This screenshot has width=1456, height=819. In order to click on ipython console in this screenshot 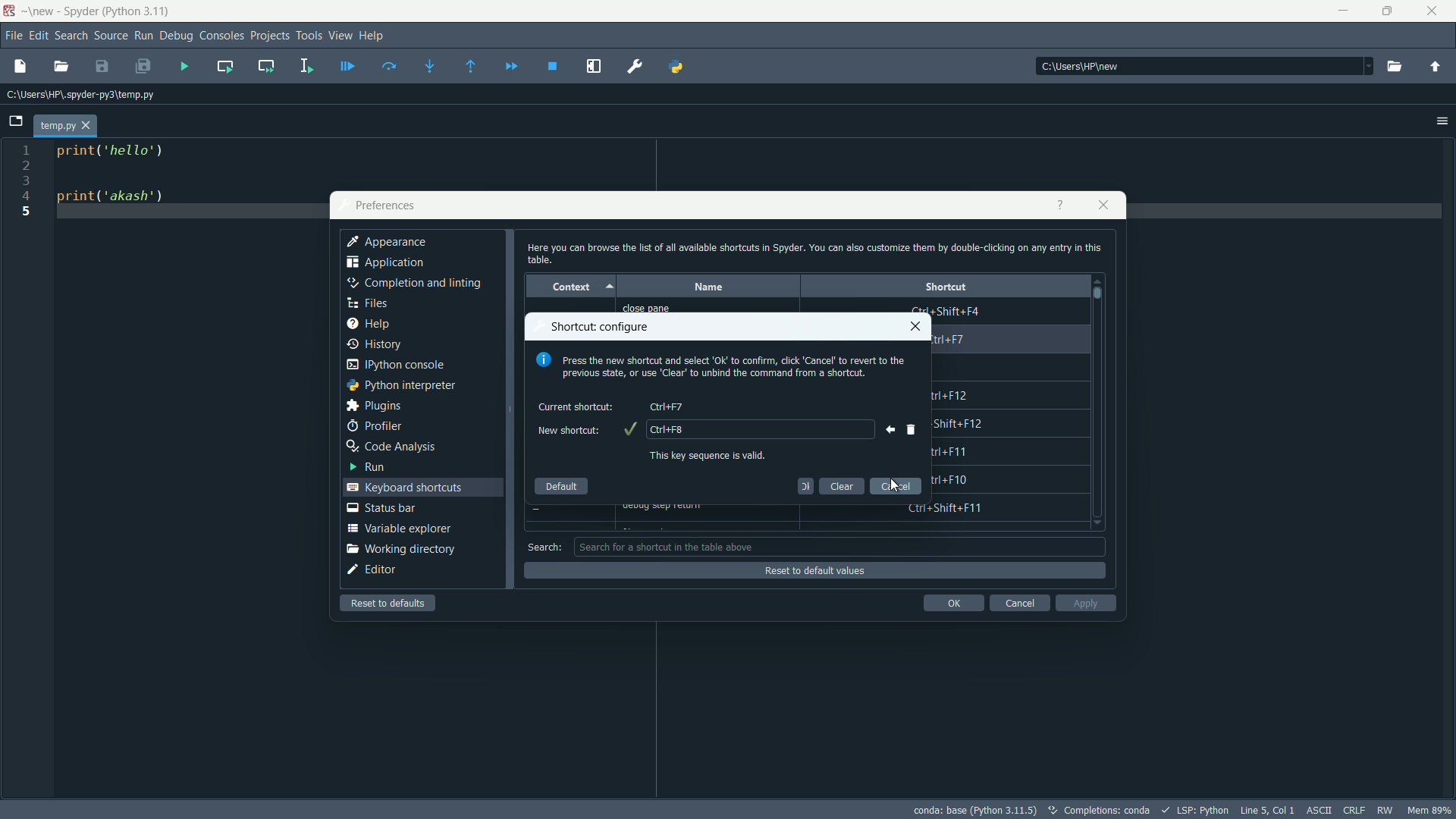, I will do `click(395, 366)`.